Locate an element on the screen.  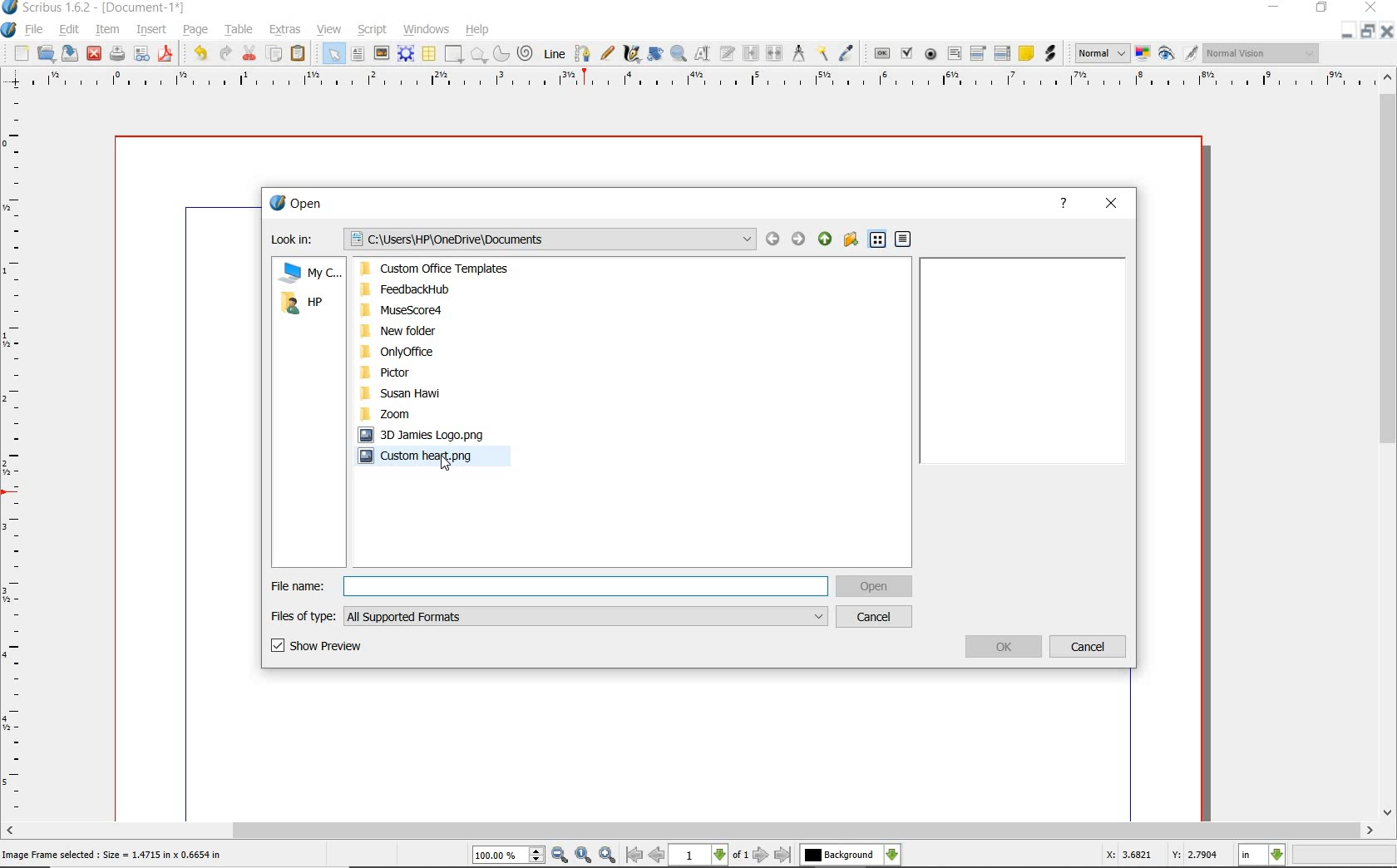
image is located at coordinates (382, 54).